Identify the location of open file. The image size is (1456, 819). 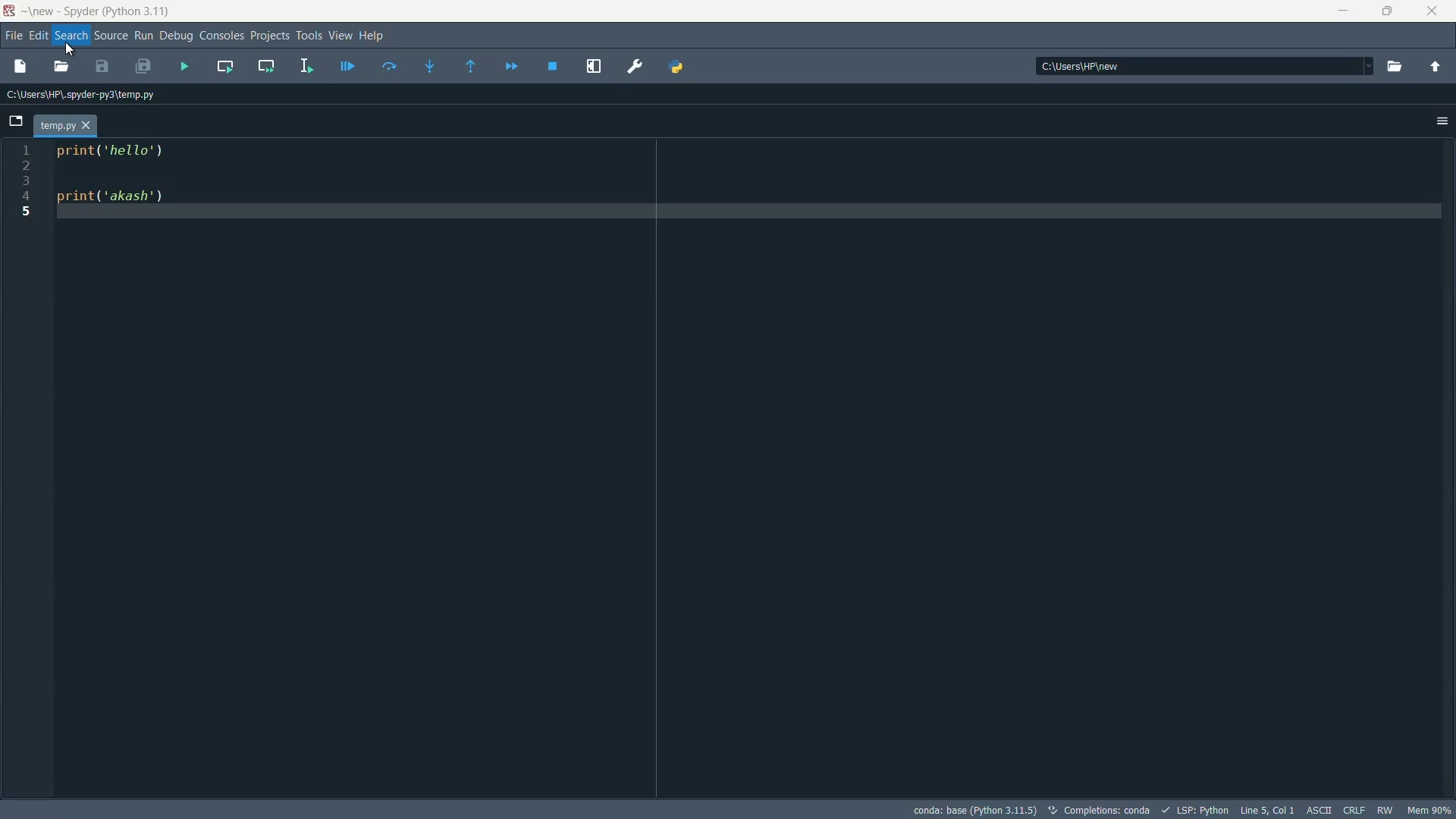
(58, 67).